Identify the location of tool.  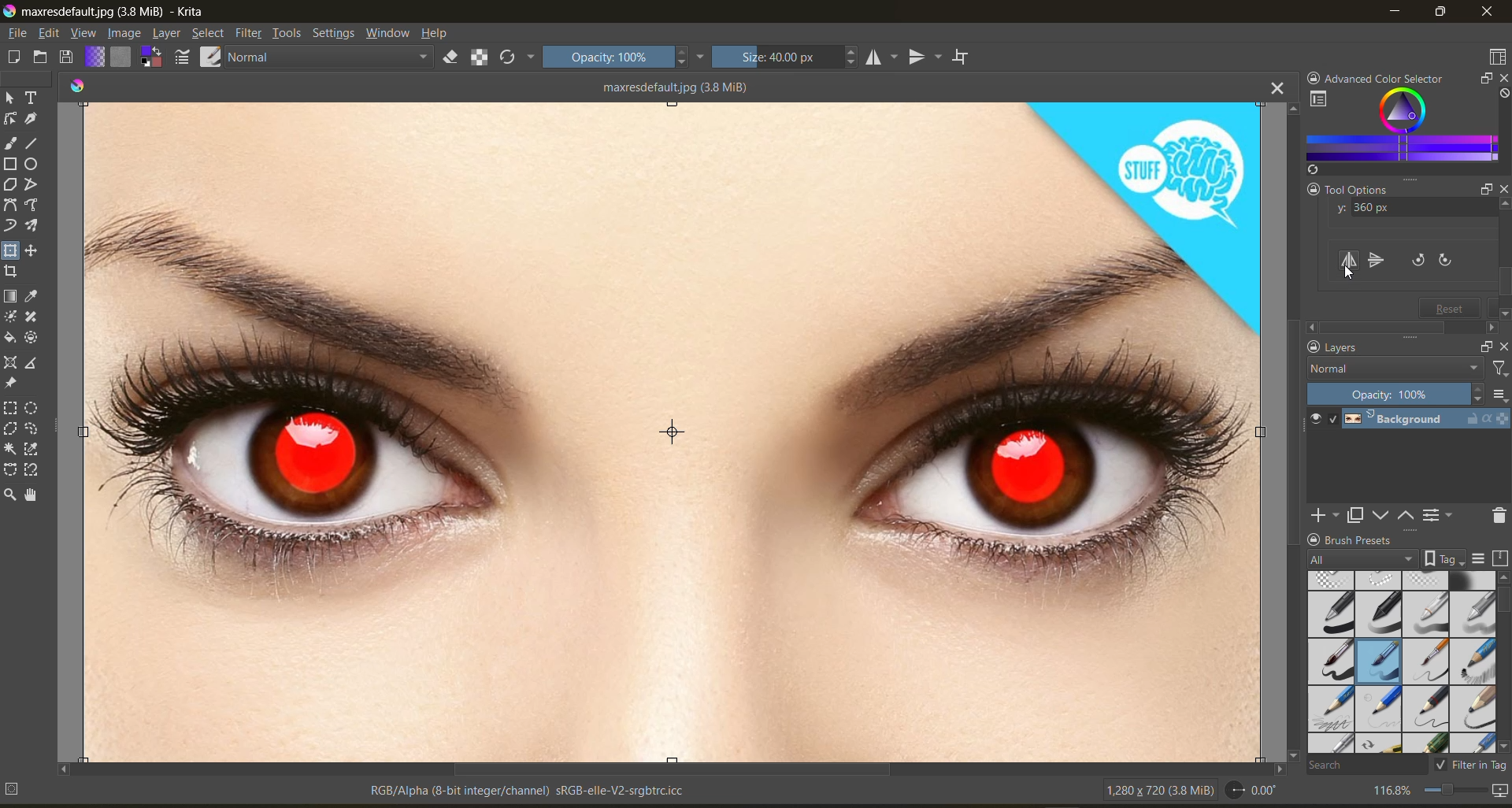
(10, 206).